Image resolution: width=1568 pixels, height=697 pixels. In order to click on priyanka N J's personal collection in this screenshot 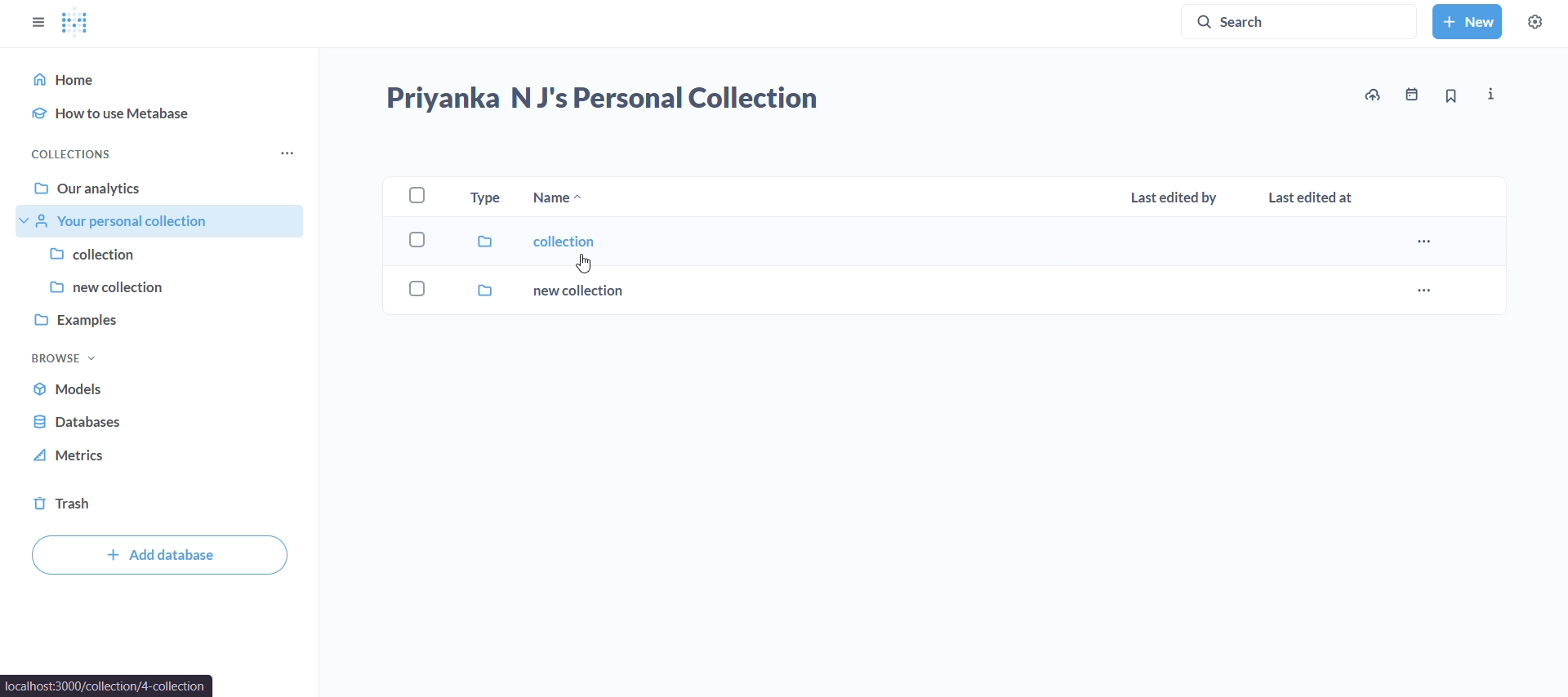, I will do `click(604, 95)`.